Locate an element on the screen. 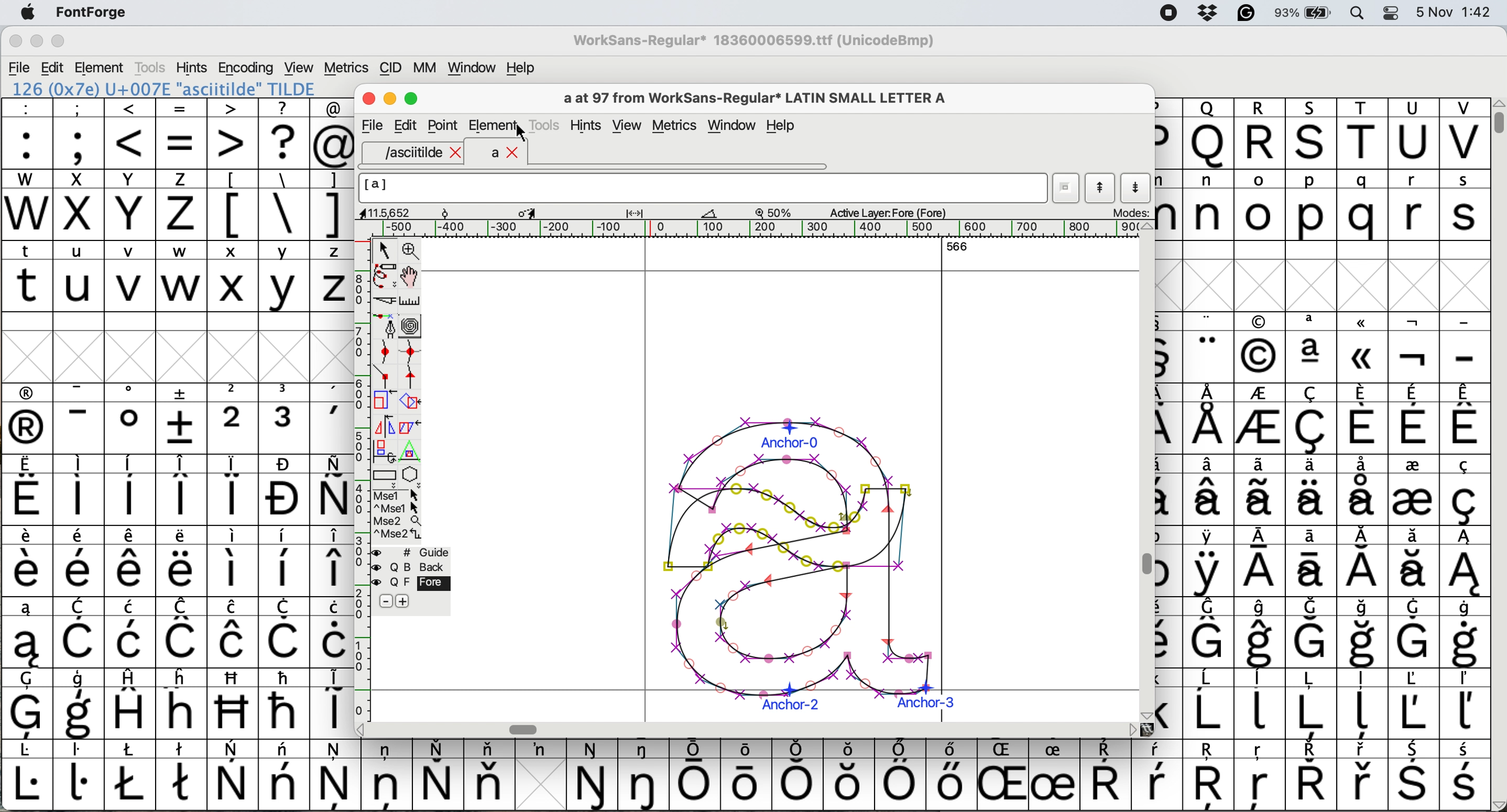 Image resolution: width=1507 pixels, height=812 pixels. scroll button is located at coordinates (1145, 714).